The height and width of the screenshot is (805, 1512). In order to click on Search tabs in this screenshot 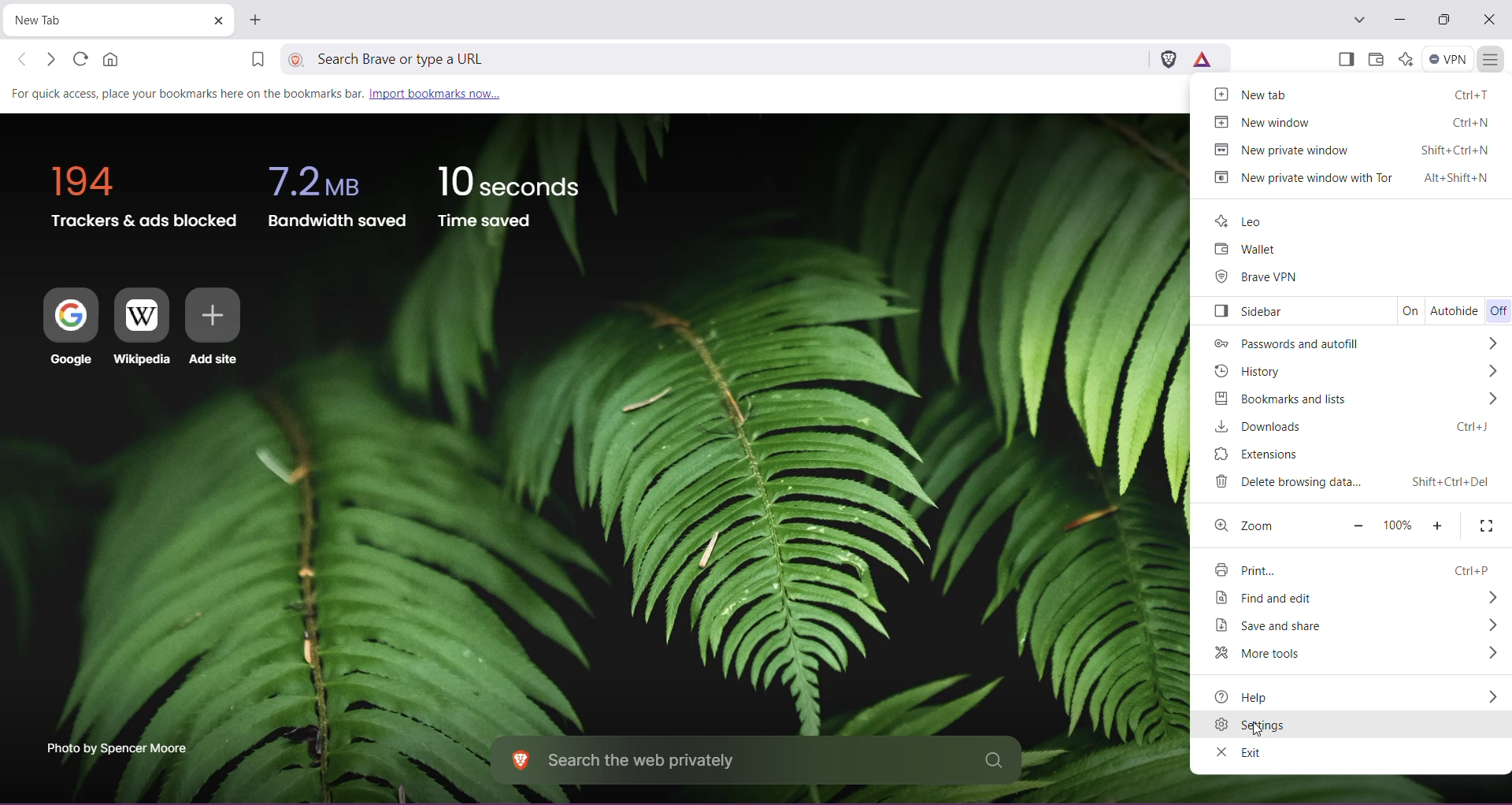, I will do `click(1358, 20)`.